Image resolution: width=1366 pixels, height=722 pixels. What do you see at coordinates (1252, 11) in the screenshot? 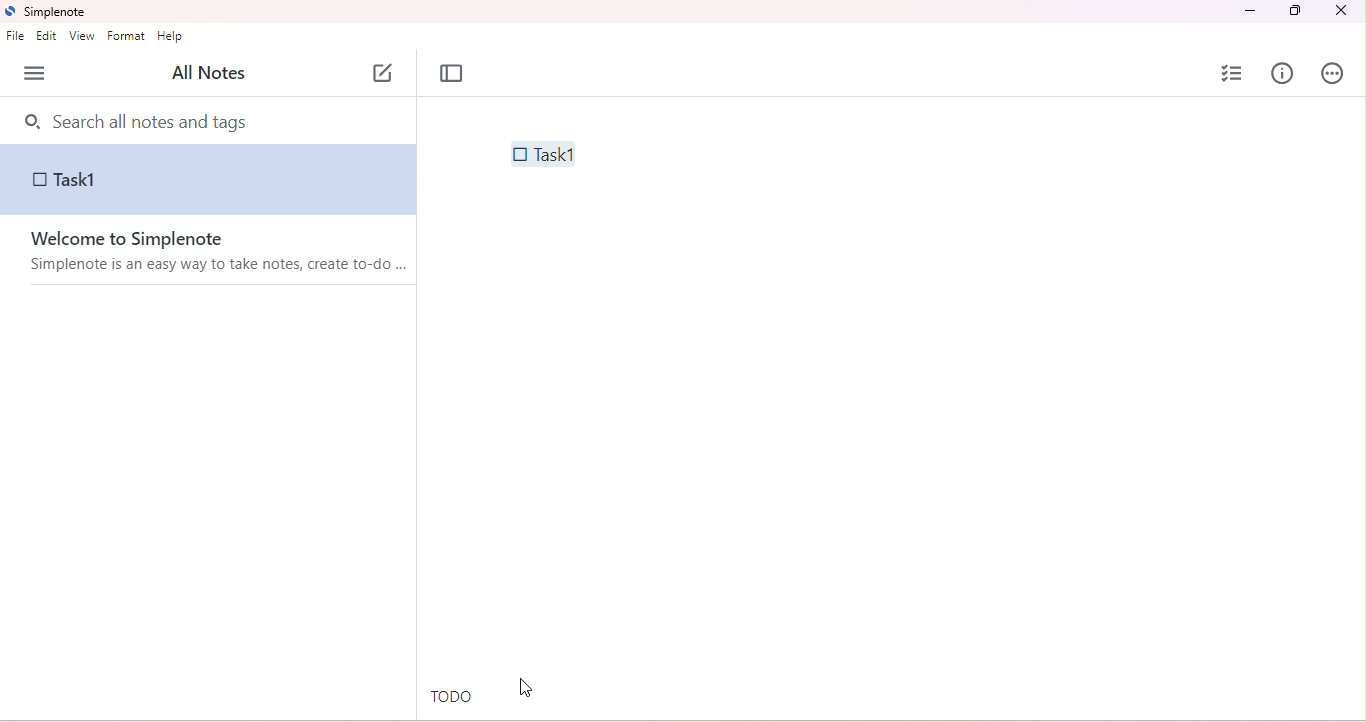
I see `minimize` at bounding box center [1252, 11].